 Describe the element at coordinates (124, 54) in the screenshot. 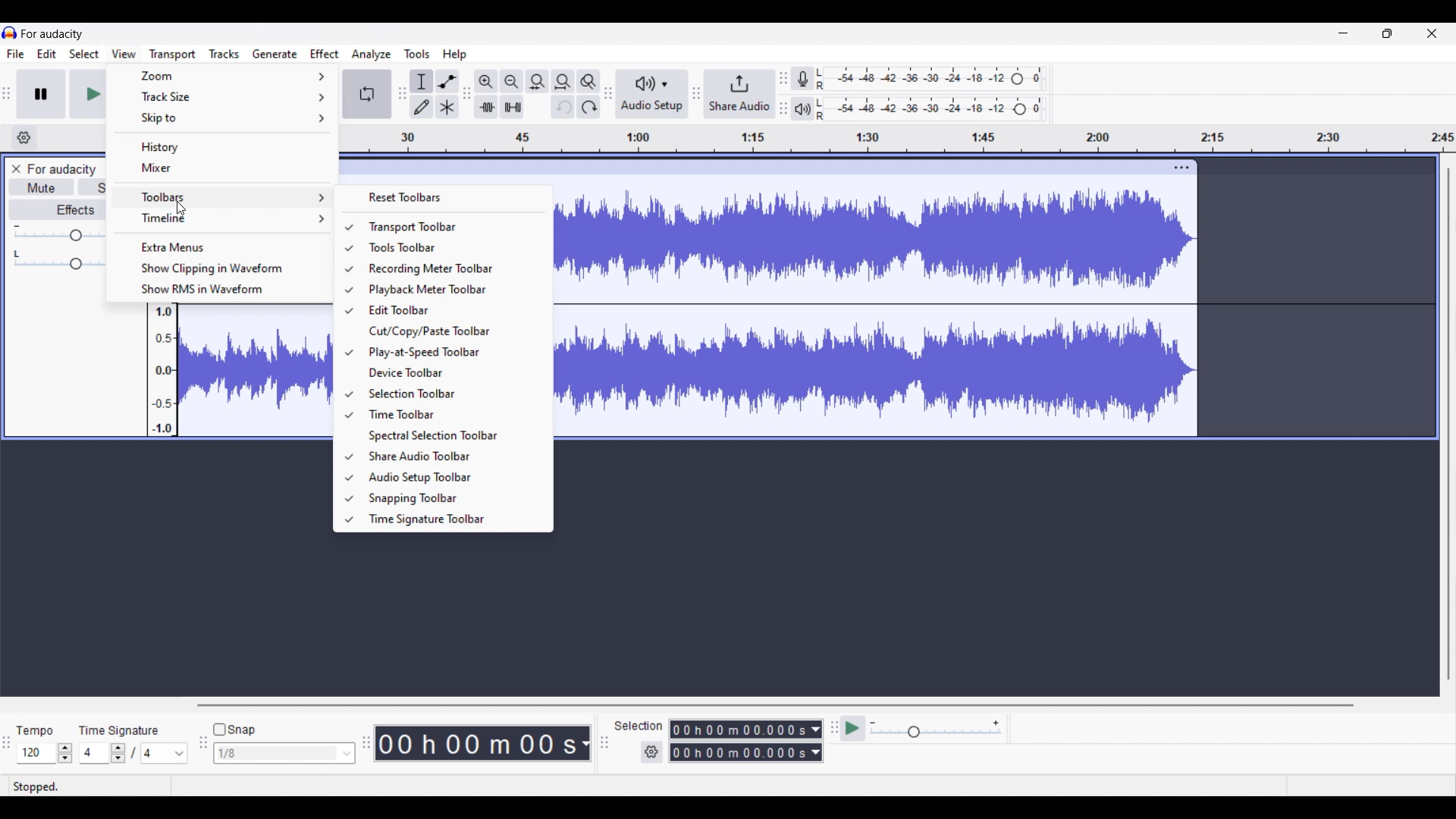

I see `View` at that location.